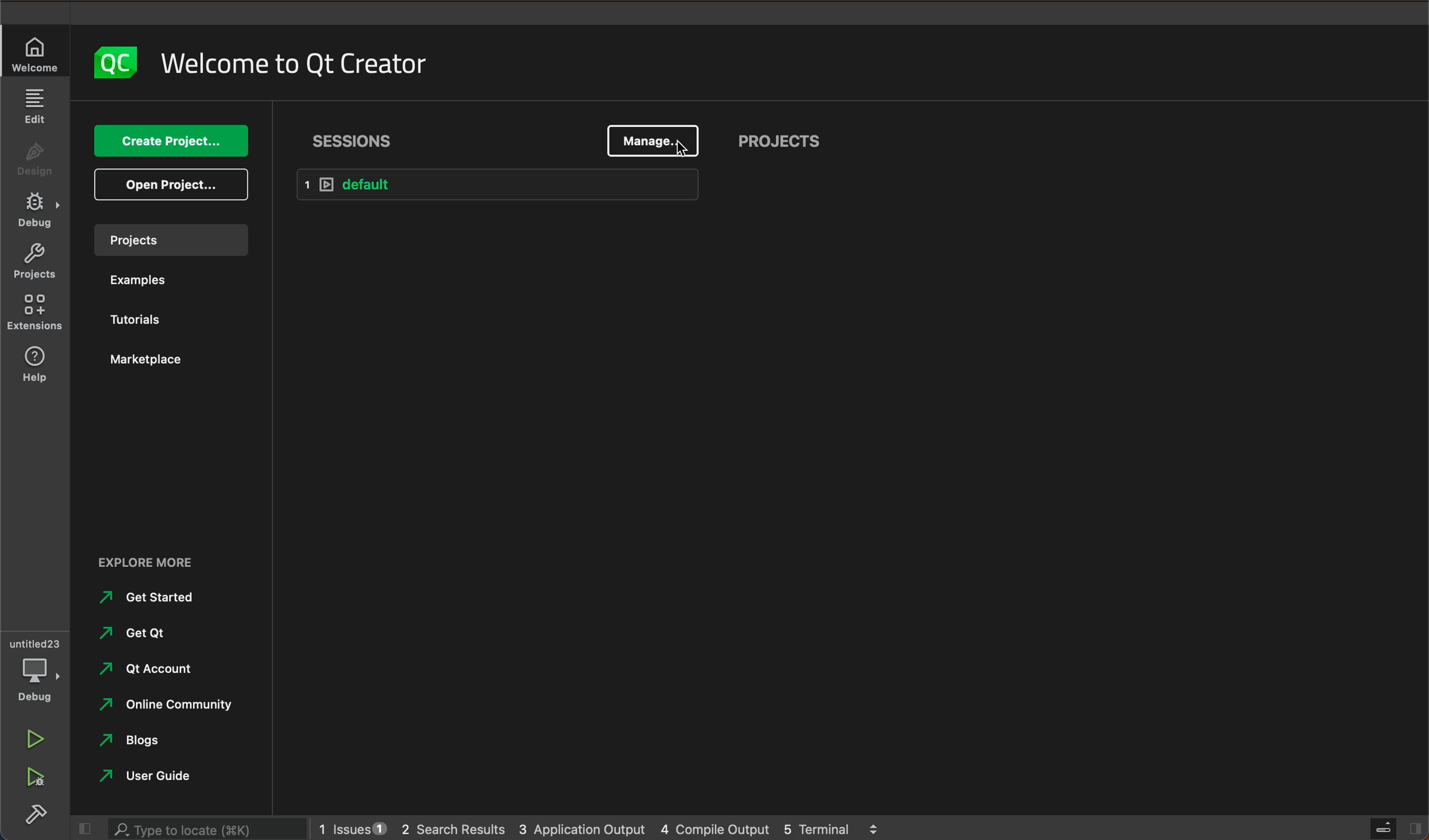 The width and height of the screenshot is (1429, 840). Describe the element at coordinates (170, 239) in the screenshot. I see `projects` at that location.